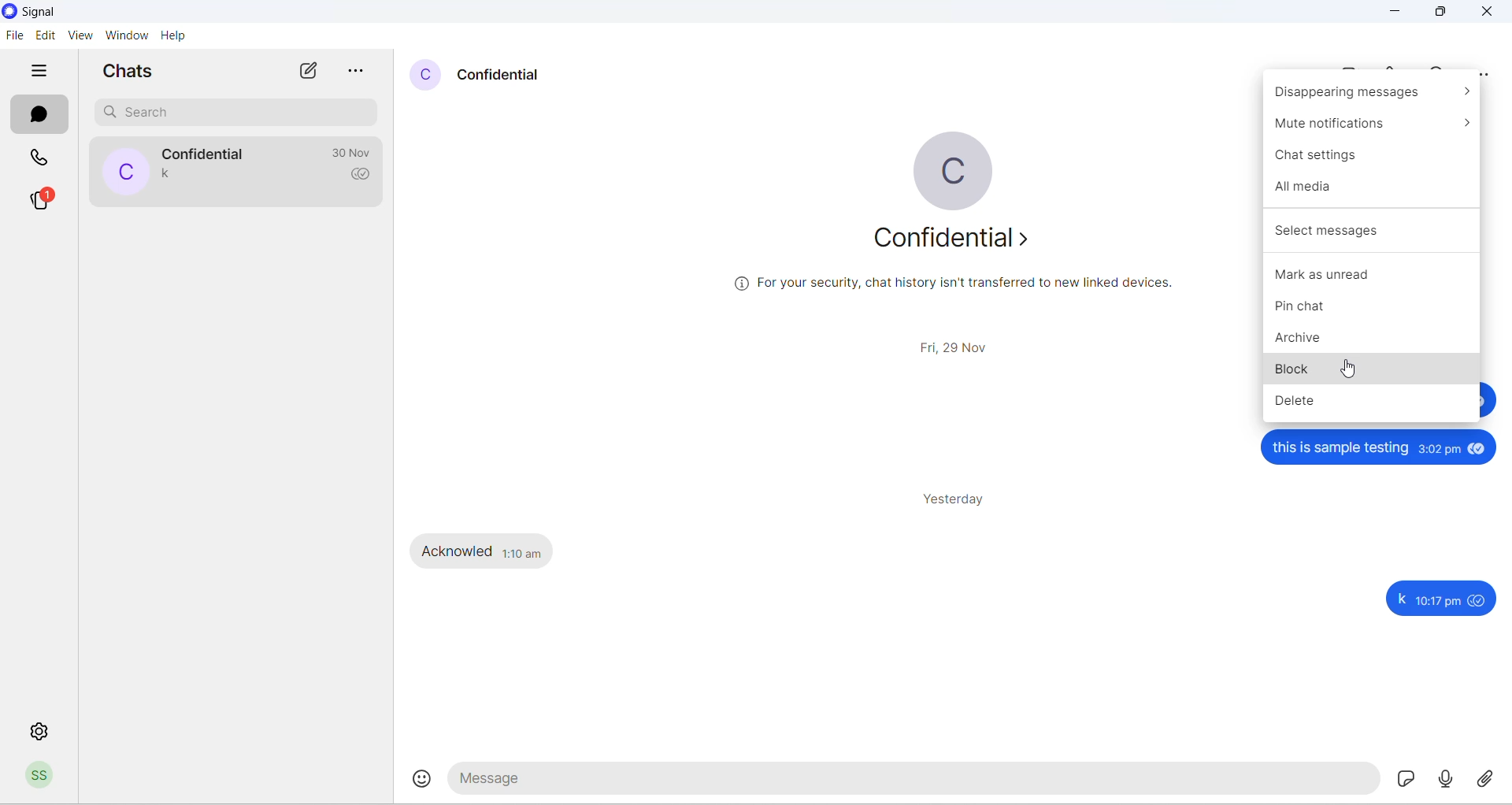  Describe the element at coordinates (1377, 373) in the screenshot. I see `block` at that location.